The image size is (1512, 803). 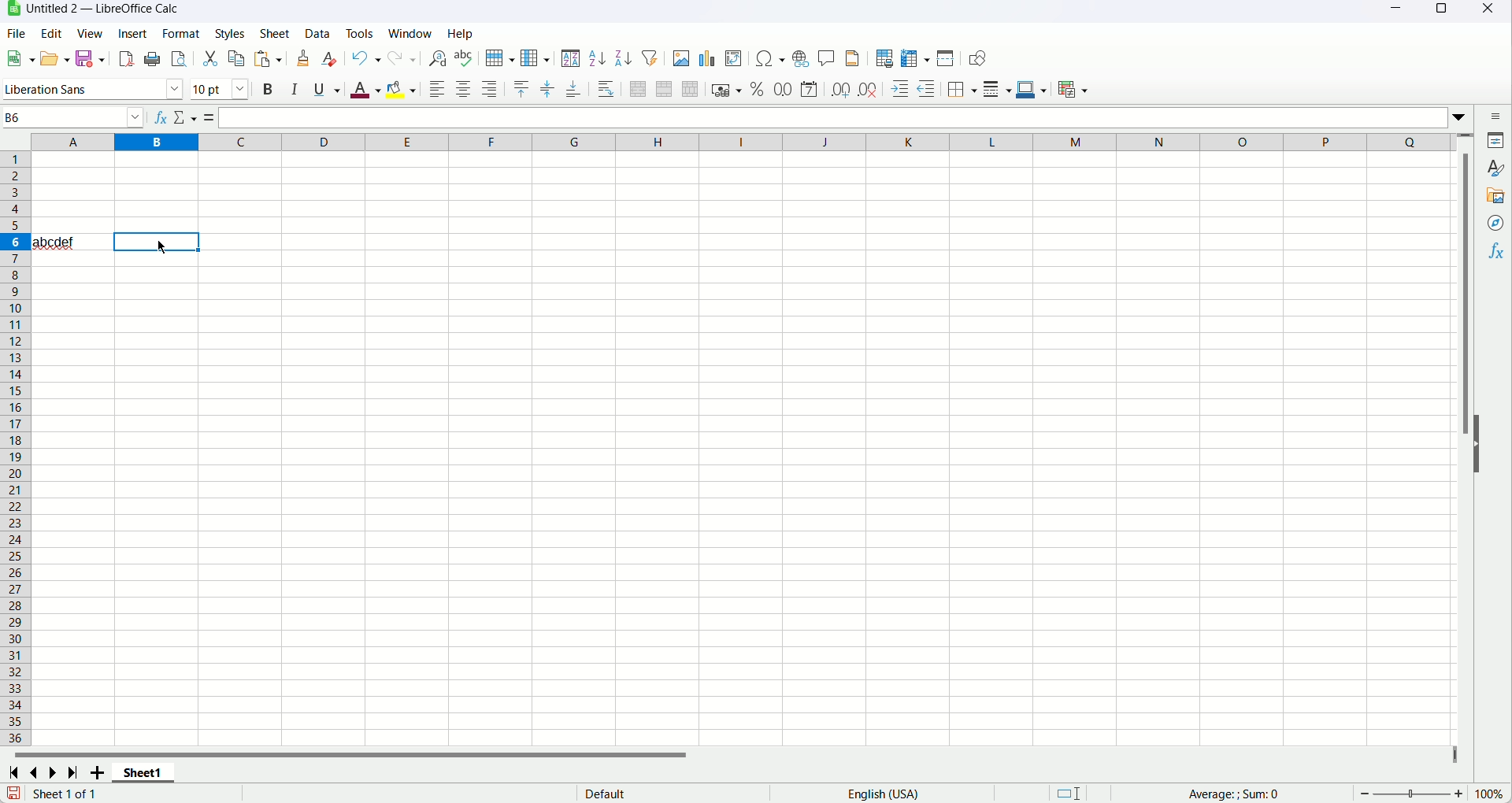 I want to click on sheet 1 of 1, so click(x=65, y=793).